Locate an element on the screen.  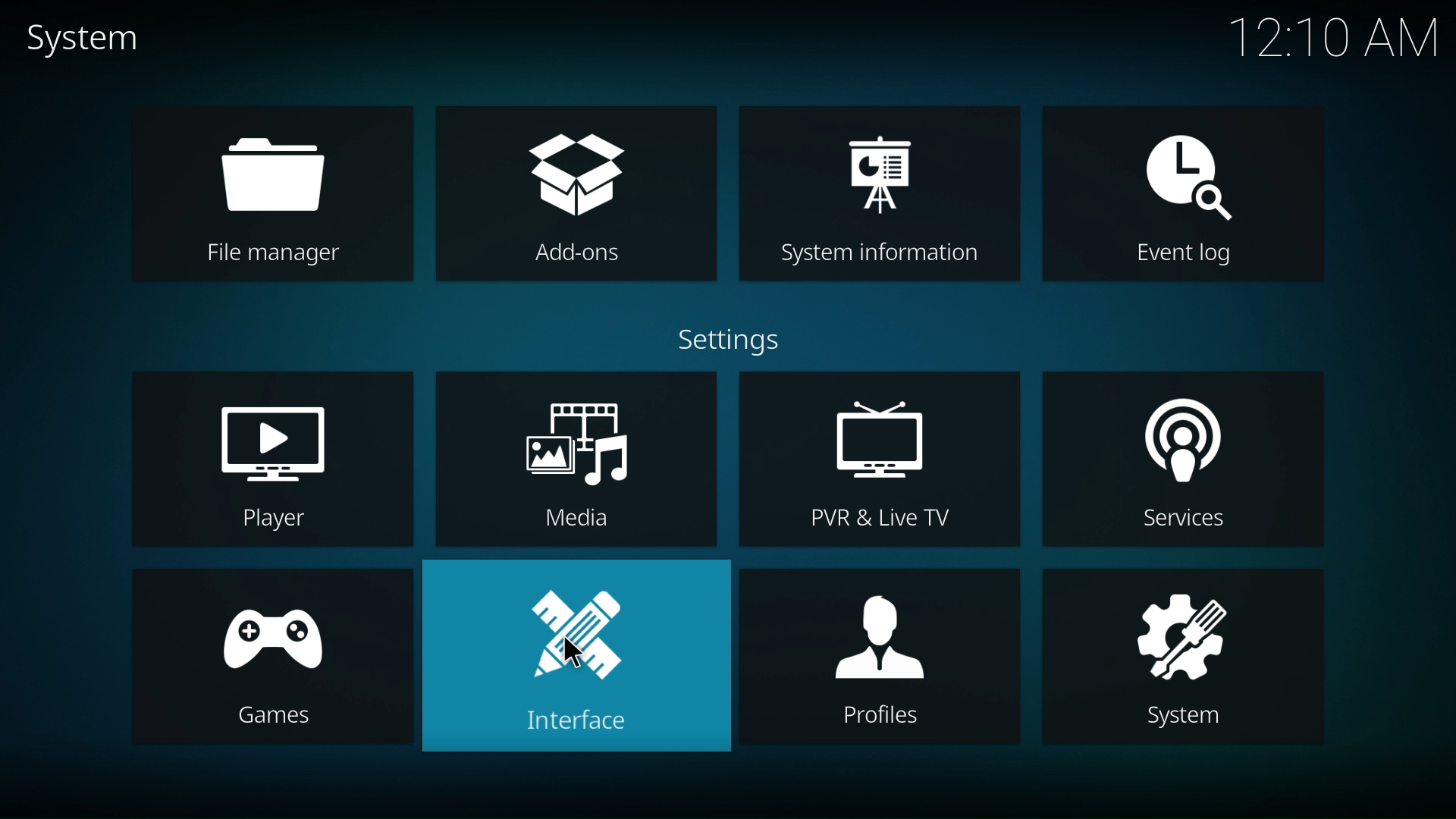
games is located at coordinates (261, 657).